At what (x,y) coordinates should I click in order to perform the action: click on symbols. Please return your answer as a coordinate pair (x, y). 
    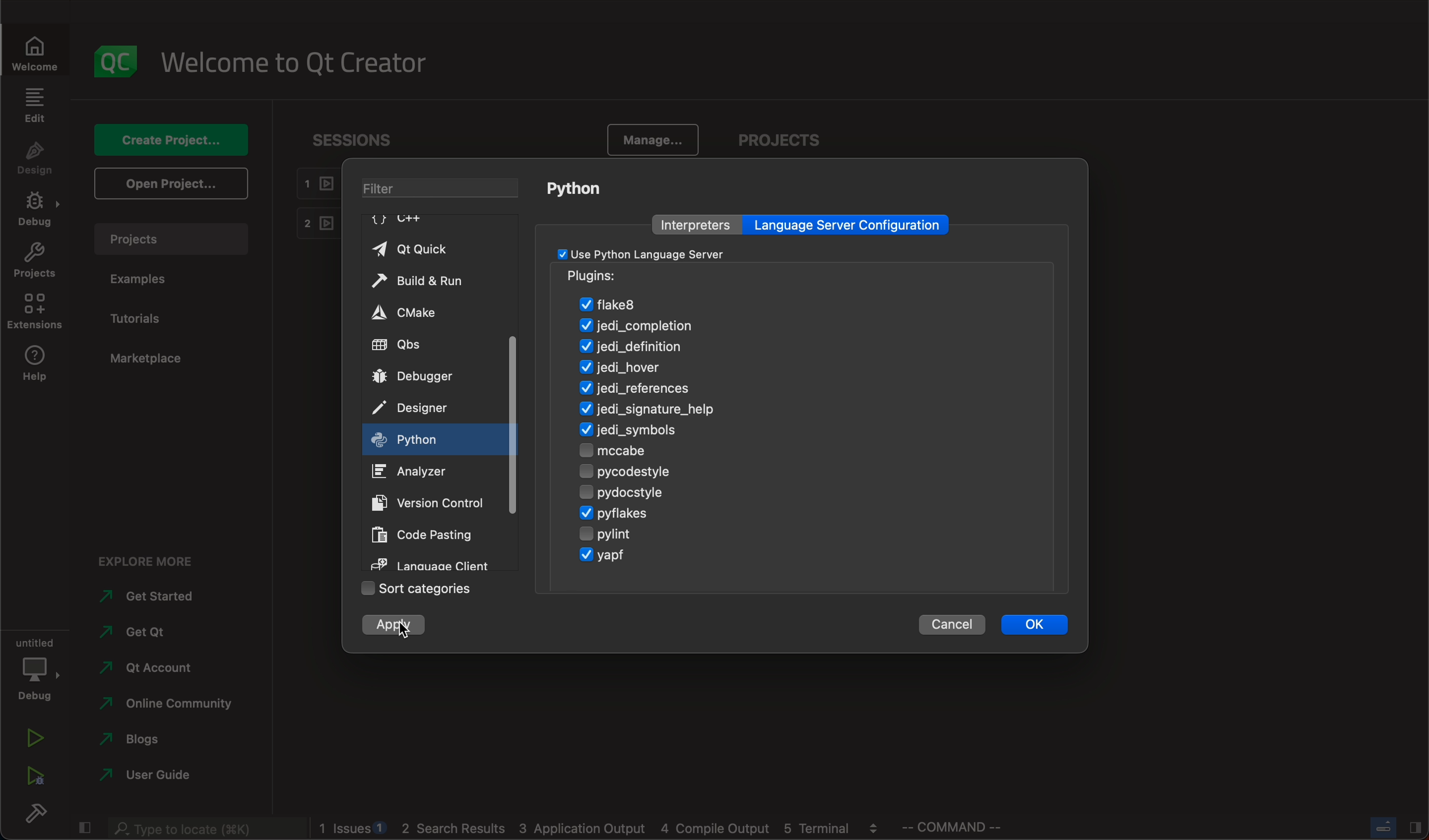
    Looking at the image, I should click on (648, 431).